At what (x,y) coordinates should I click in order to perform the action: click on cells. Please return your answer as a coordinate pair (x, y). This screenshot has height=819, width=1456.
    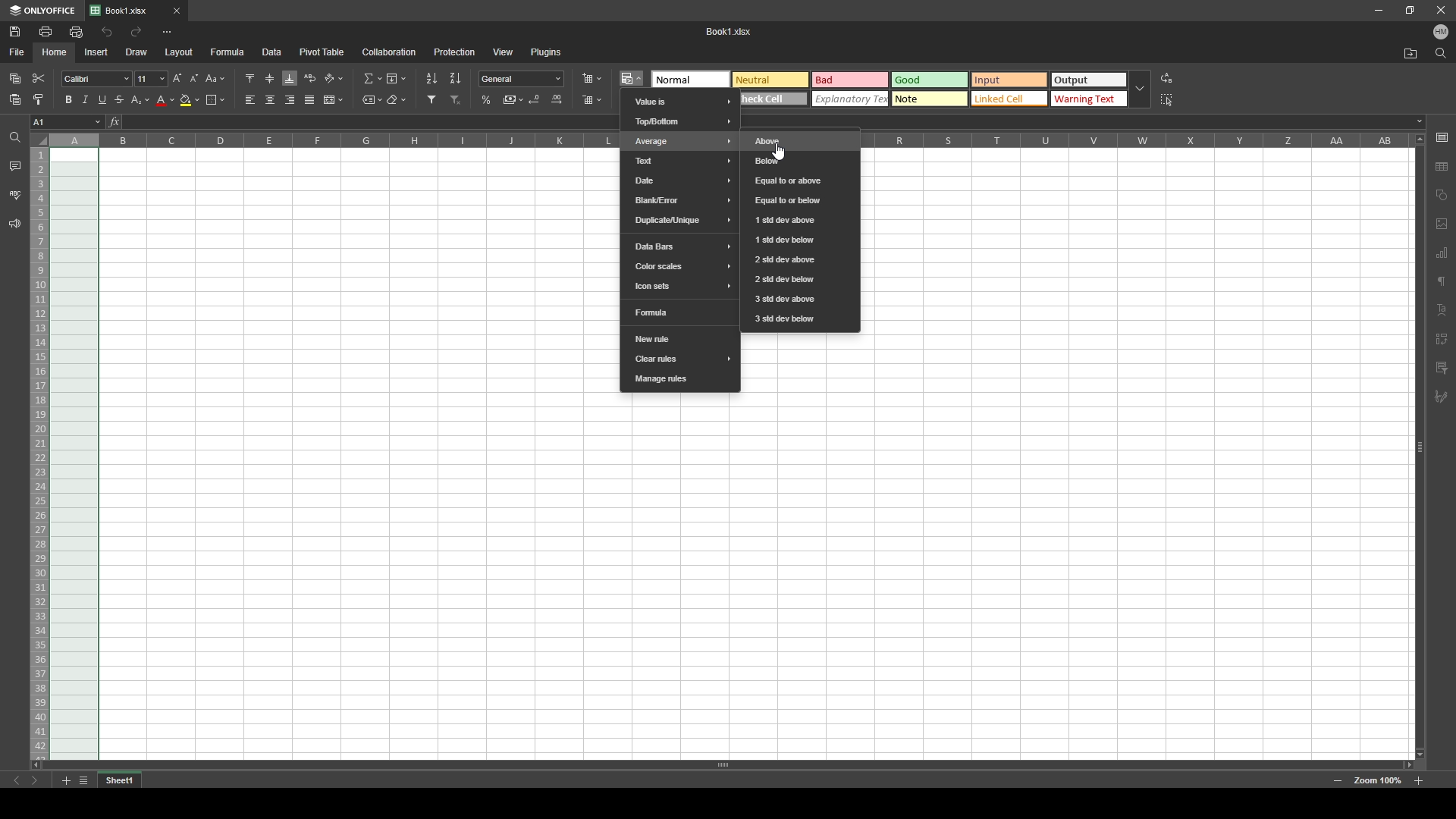
    Looking at the image, I should click on (359, 454).